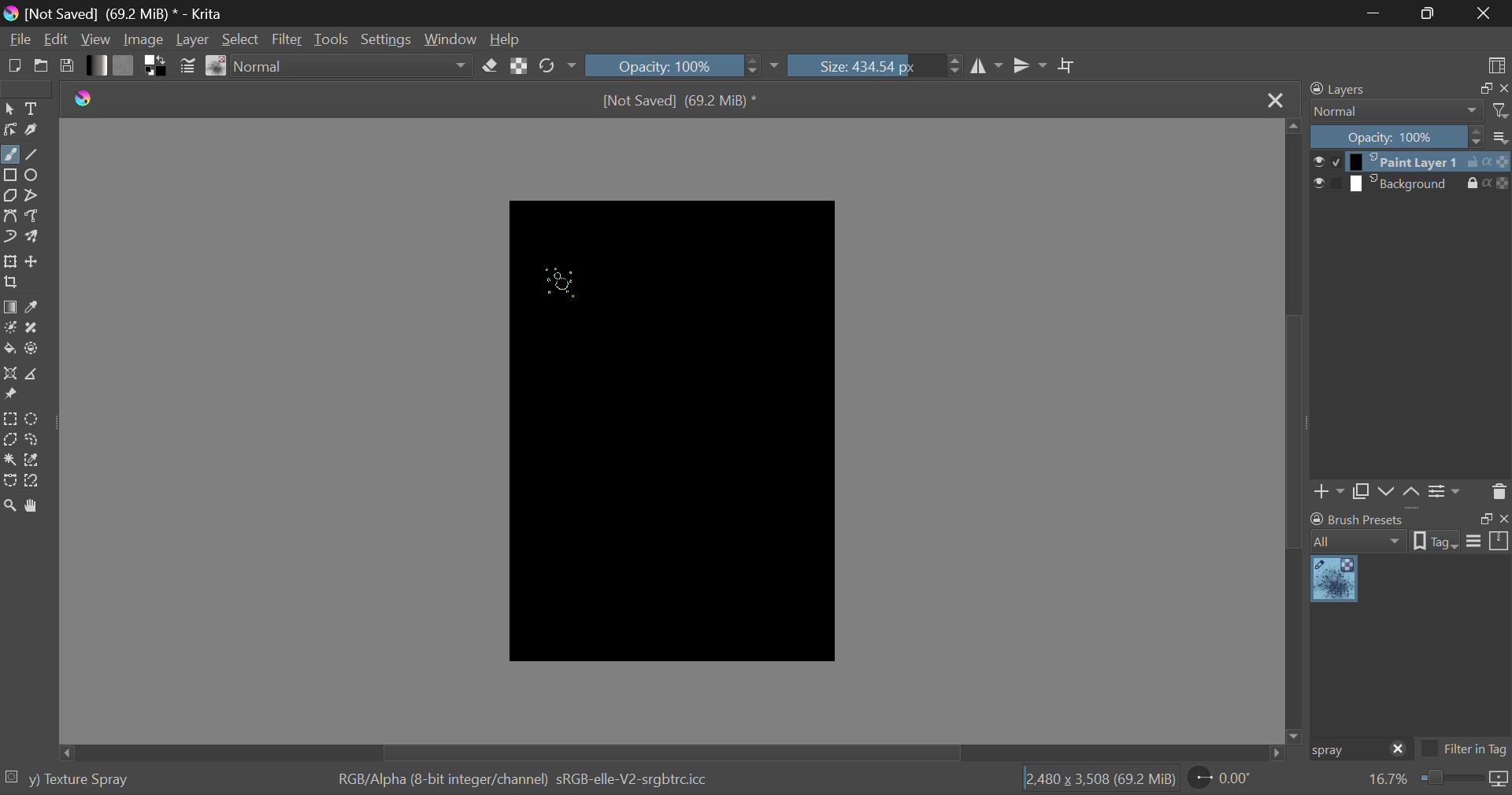  Describe the element at coordinates (984, 66) in the screenshot. I see `Vertical Mirror Flip` at that location.